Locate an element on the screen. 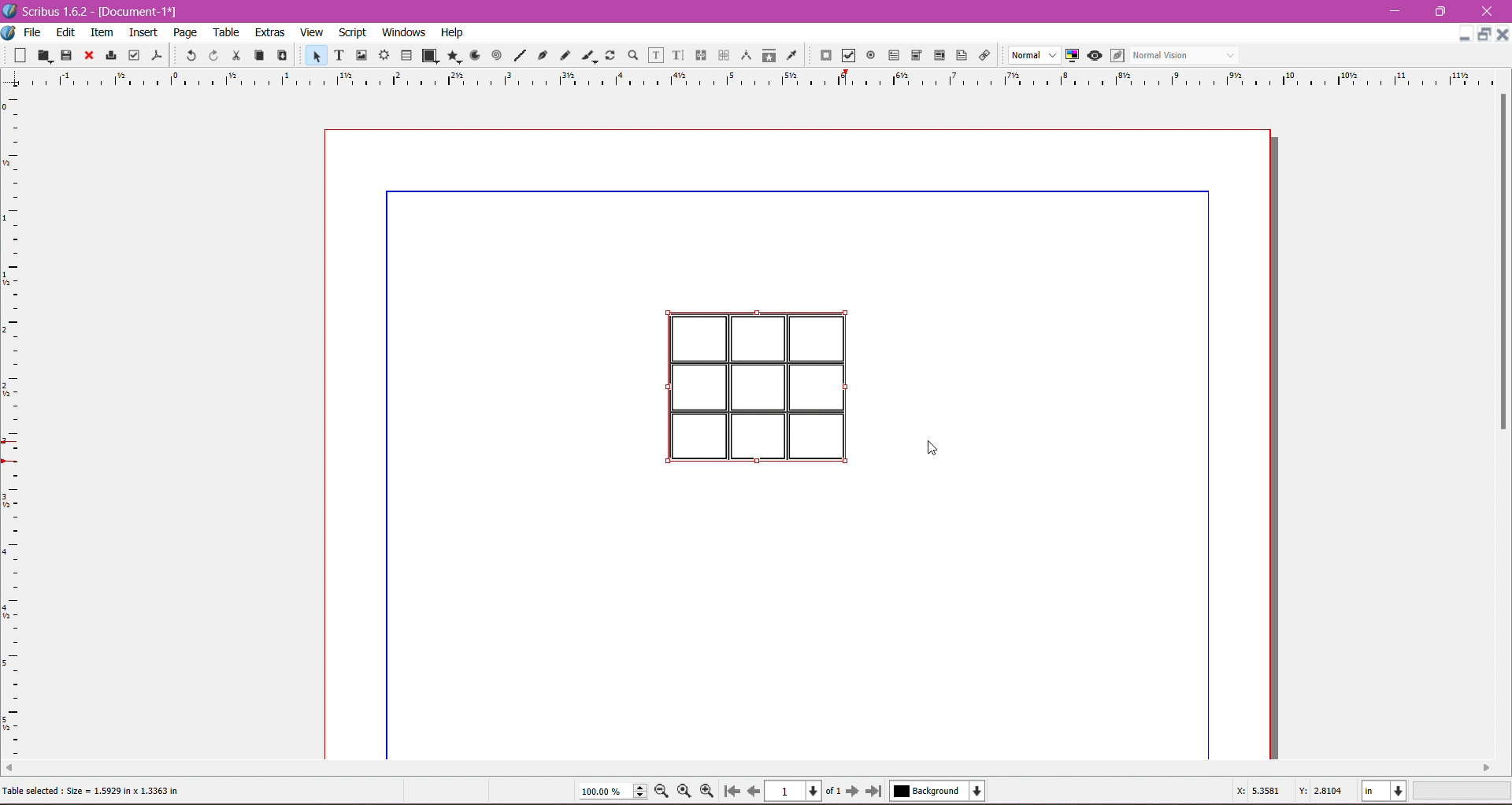  Print is located at coordinates (109, 57).